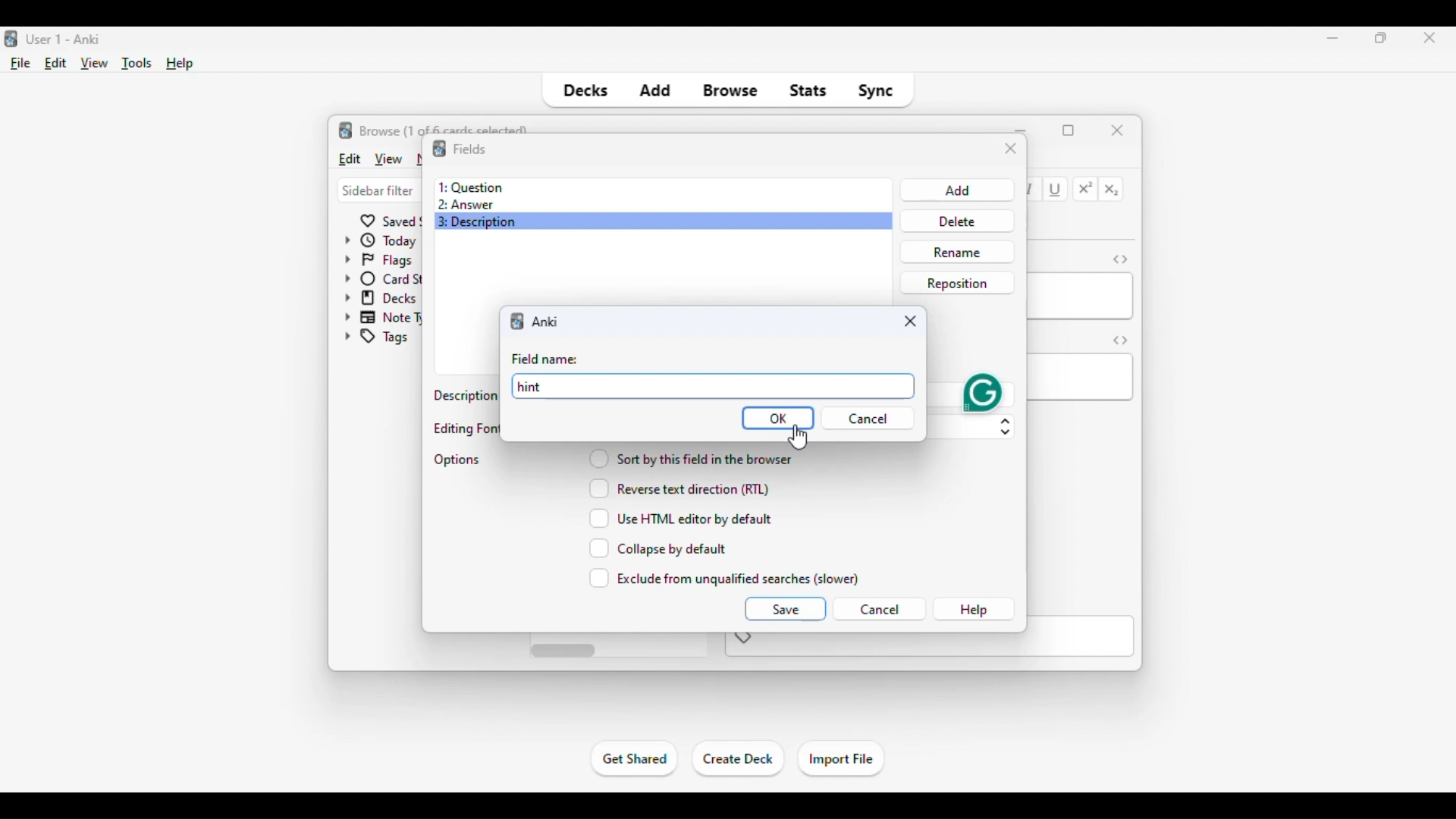 Image resolution: width=1456 pixels, height=819 pixels. Describe the element at coordinates (808, 91) in the screenshot. I see `stats` at that location.